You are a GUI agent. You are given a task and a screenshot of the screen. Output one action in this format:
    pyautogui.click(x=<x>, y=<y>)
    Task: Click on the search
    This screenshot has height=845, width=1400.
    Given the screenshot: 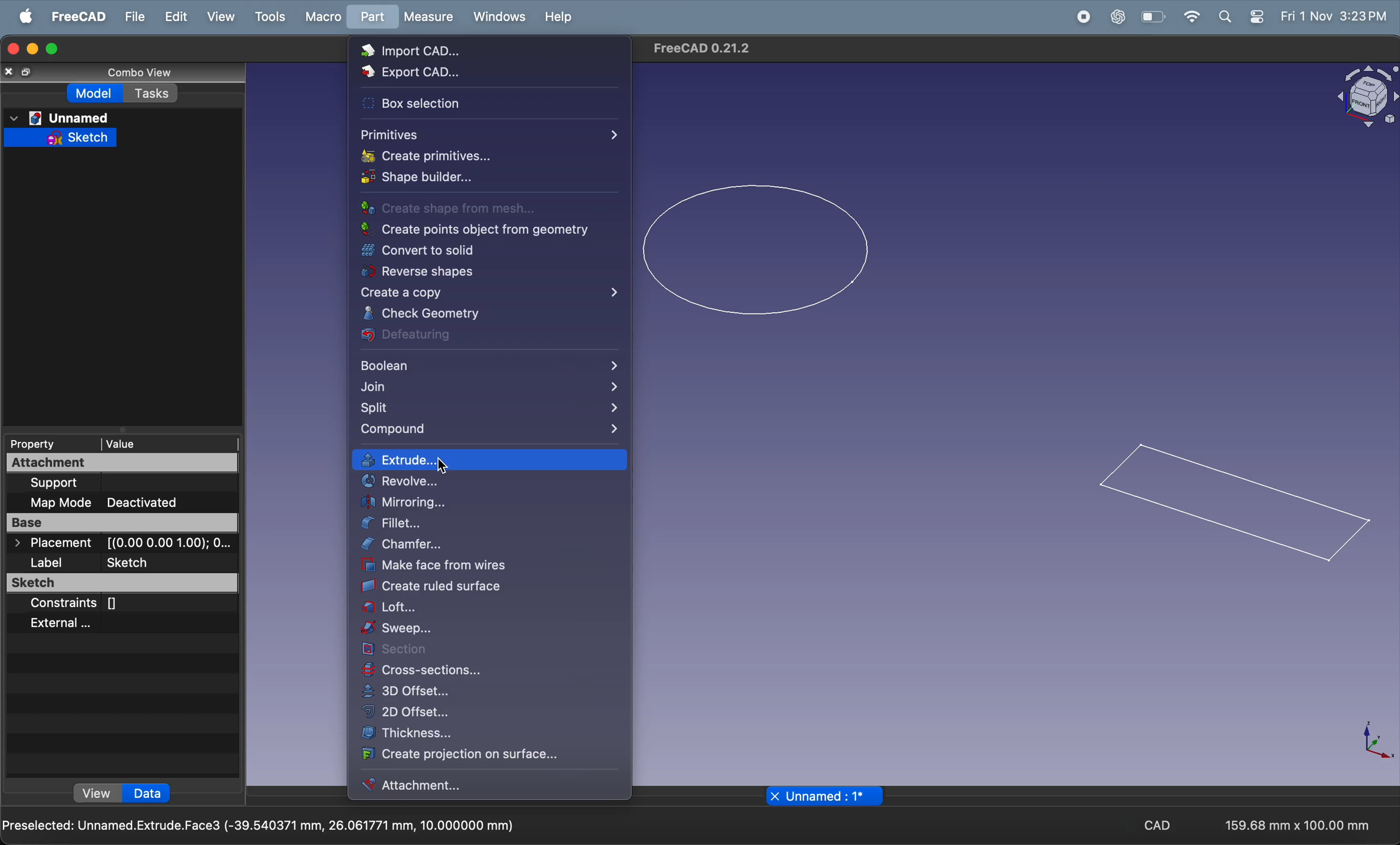 What is the action you would take?
    pyautogui.click(x=1226, y=17)
    